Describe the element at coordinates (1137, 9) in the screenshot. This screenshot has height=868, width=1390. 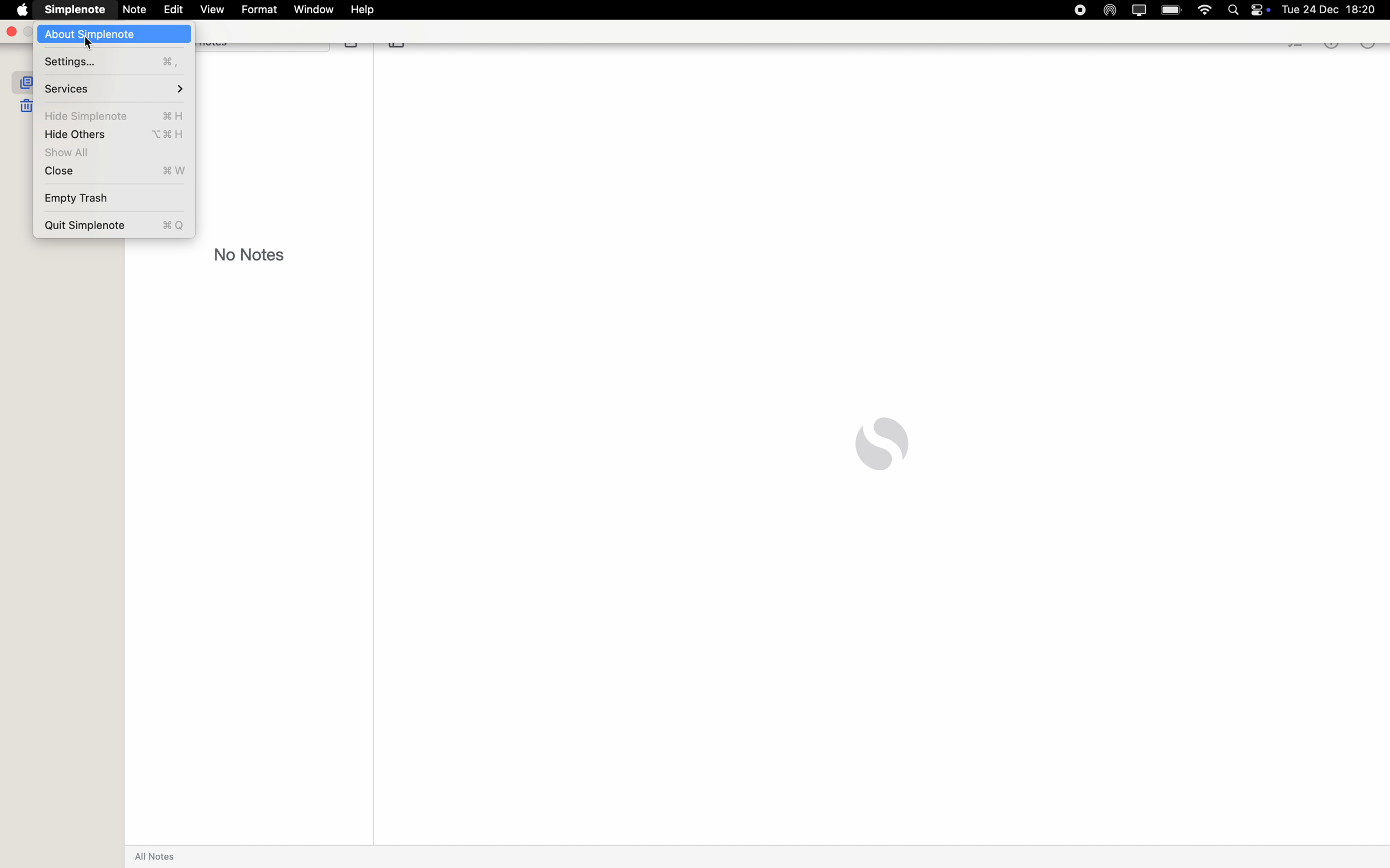
I see `screen button` at that location.